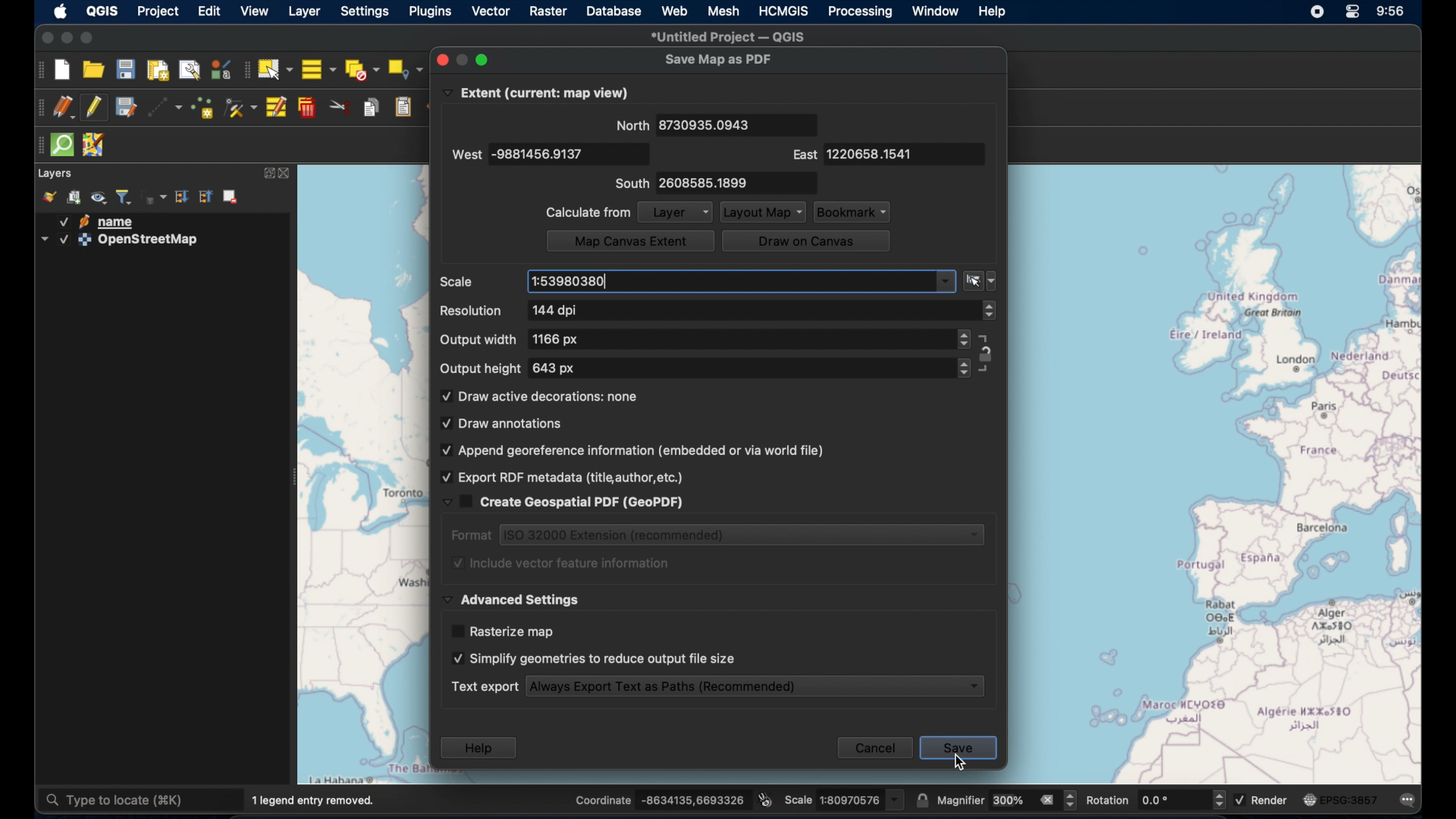  I want to click on east, so click(805, 155).